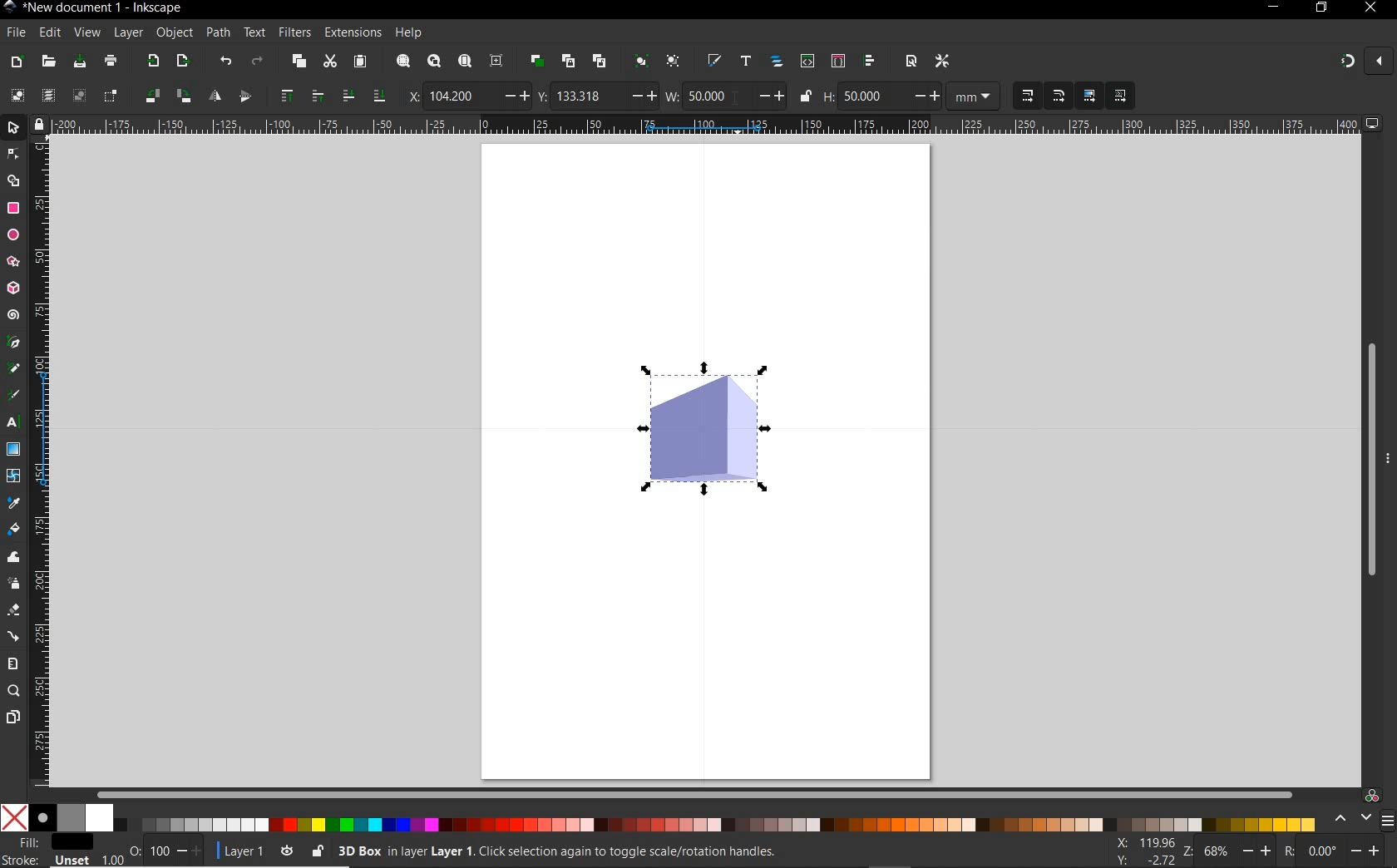 The image size is (1397, 868). I want to click on object flip, so click(213, 97).